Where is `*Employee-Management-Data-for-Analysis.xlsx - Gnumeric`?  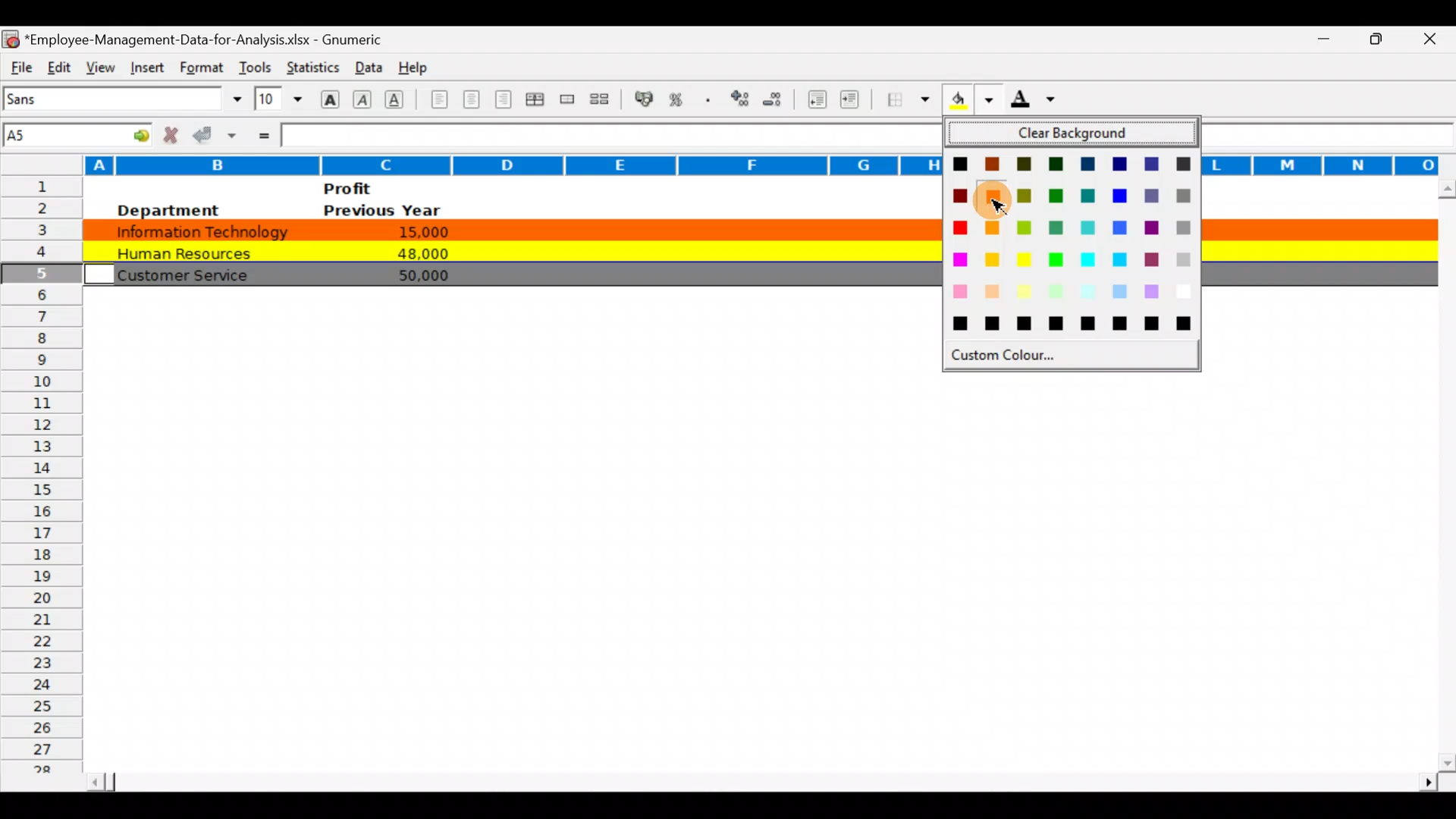 *Employee-Management-Data-for-Analysis.xlsx - Gnumeric is located at coordinates (213, 36).